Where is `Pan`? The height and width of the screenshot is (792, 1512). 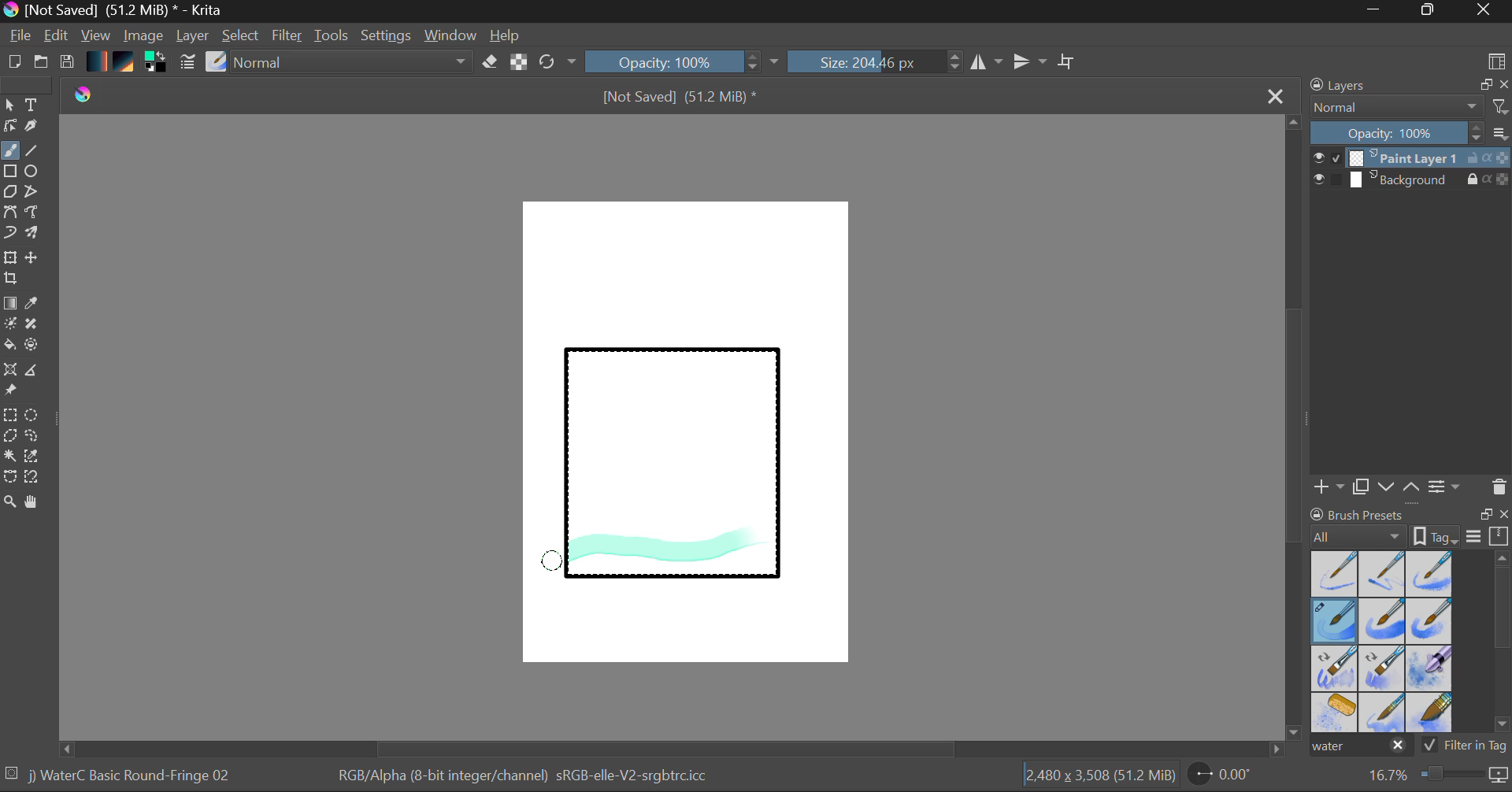
Pan is located at coordinates (37, 505).